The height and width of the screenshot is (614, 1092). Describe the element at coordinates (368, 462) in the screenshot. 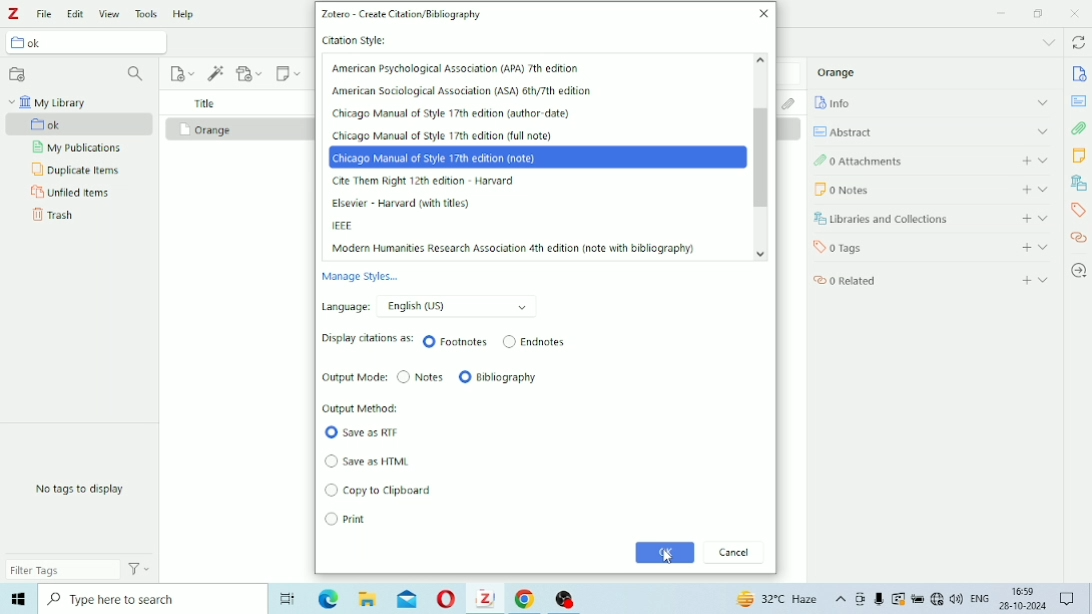

I see `Save as HTML` at that location.